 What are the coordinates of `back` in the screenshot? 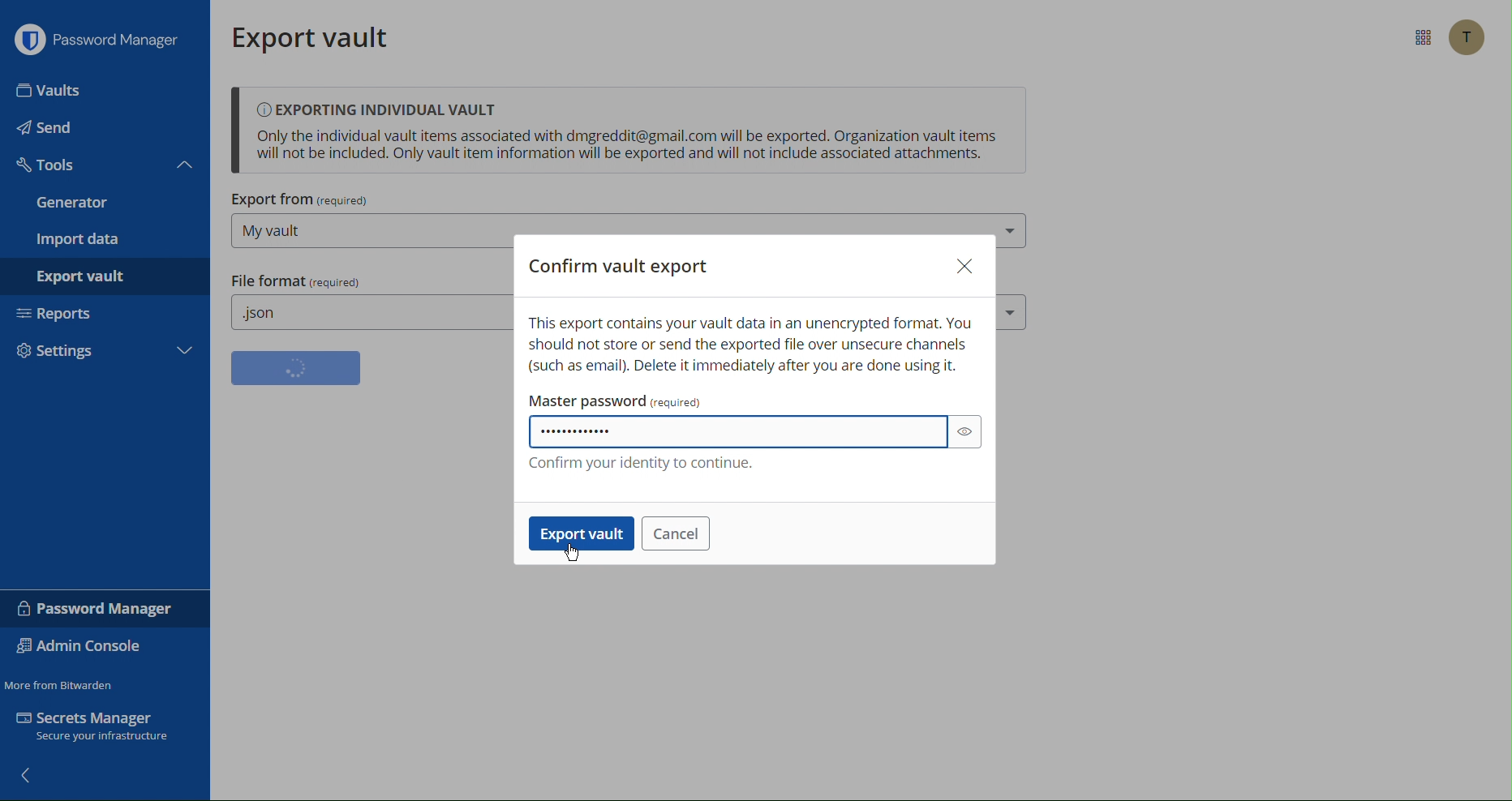 It's located at (35, 778).